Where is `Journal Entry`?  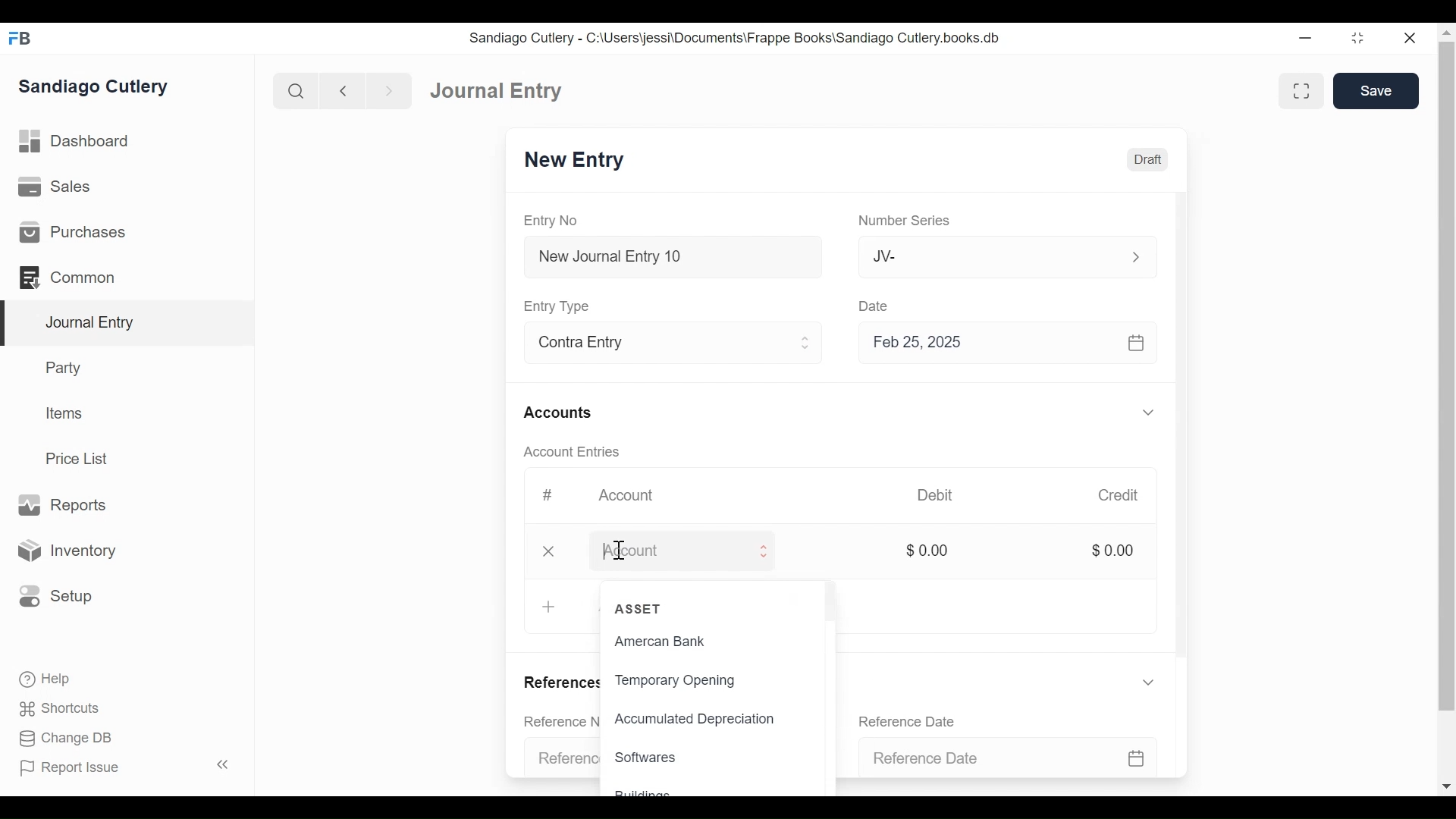
Journal Entry is located at coordinates (499, 92).